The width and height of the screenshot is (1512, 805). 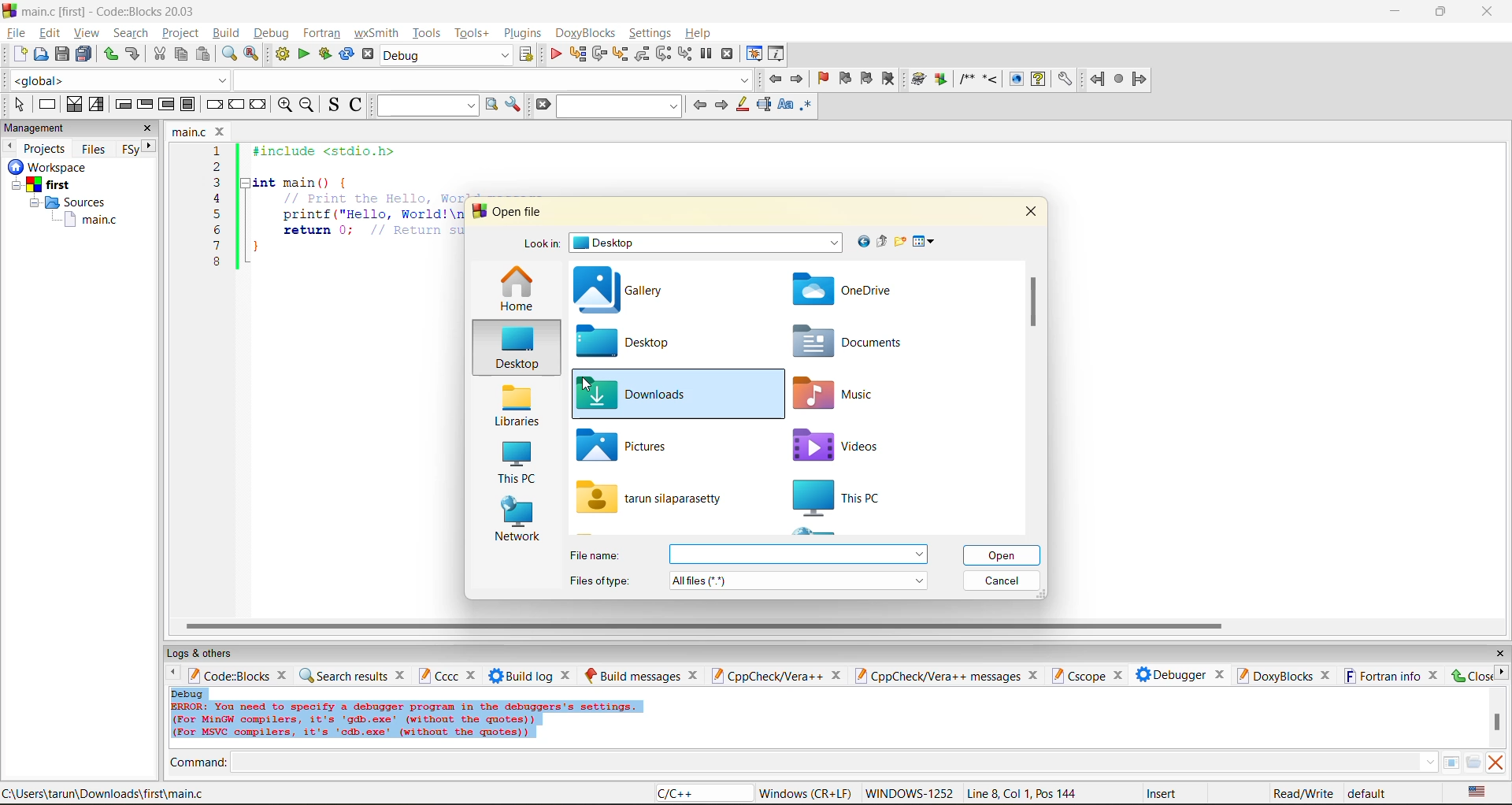 I want to click on build target, so click(x=447, y=54).